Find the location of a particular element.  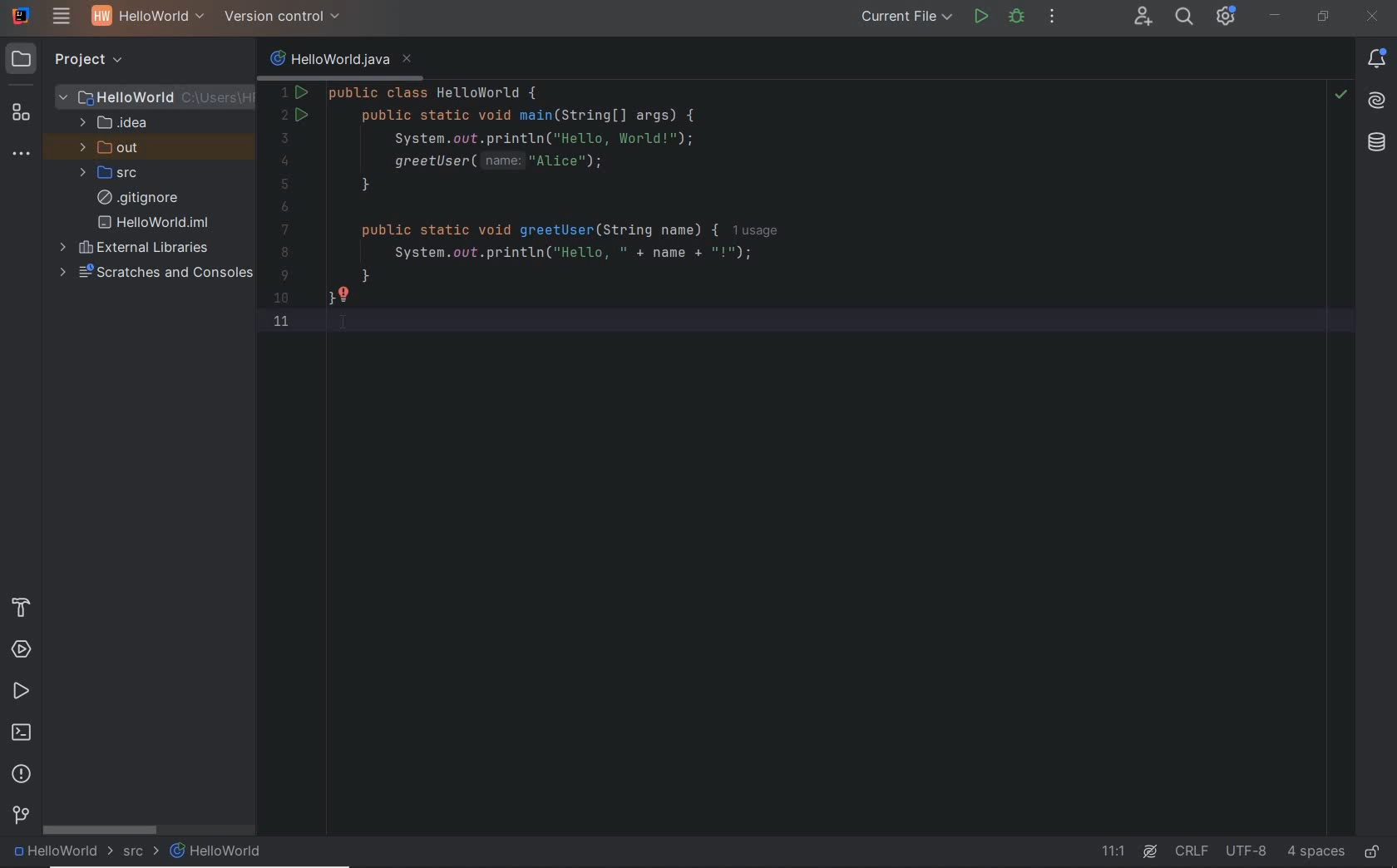

unlock(edit or ready only mode) is located at coordinates (1372, 848).